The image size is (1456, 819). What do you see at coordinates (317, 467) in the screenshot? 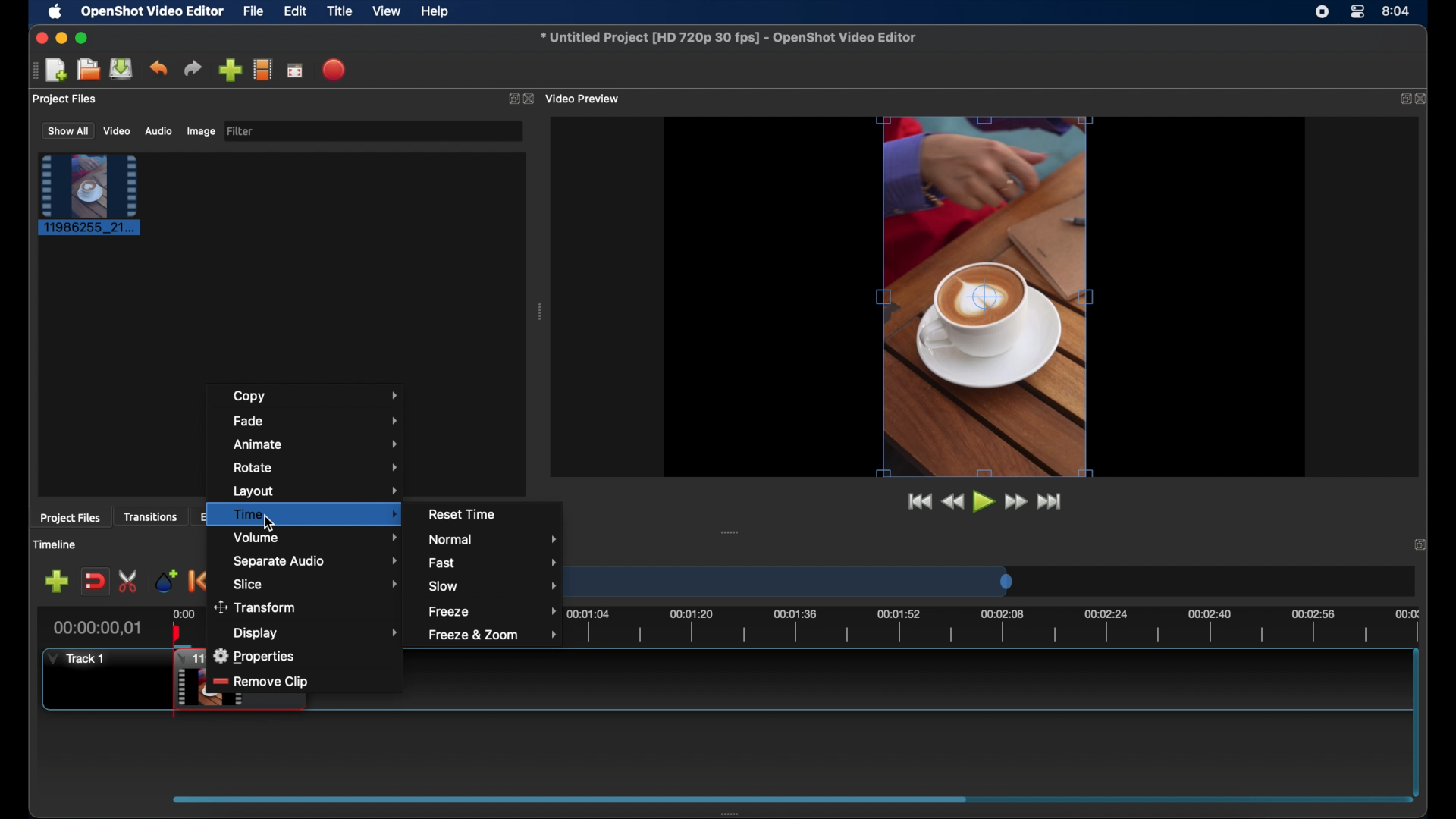
I see `rotate menu` at bounding box center [317, 467].